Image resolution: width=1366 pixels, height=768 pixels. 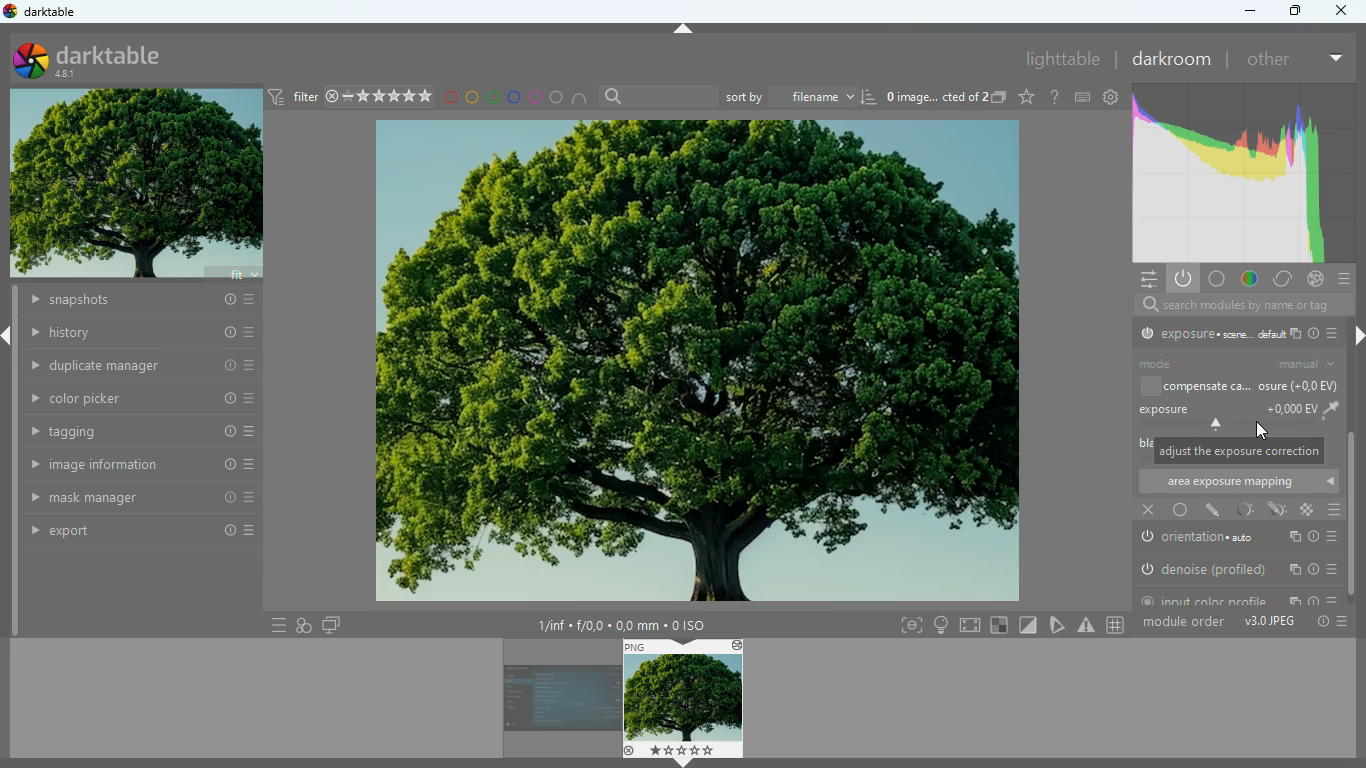 I want to click on menu, so click(x=1337, y=510).